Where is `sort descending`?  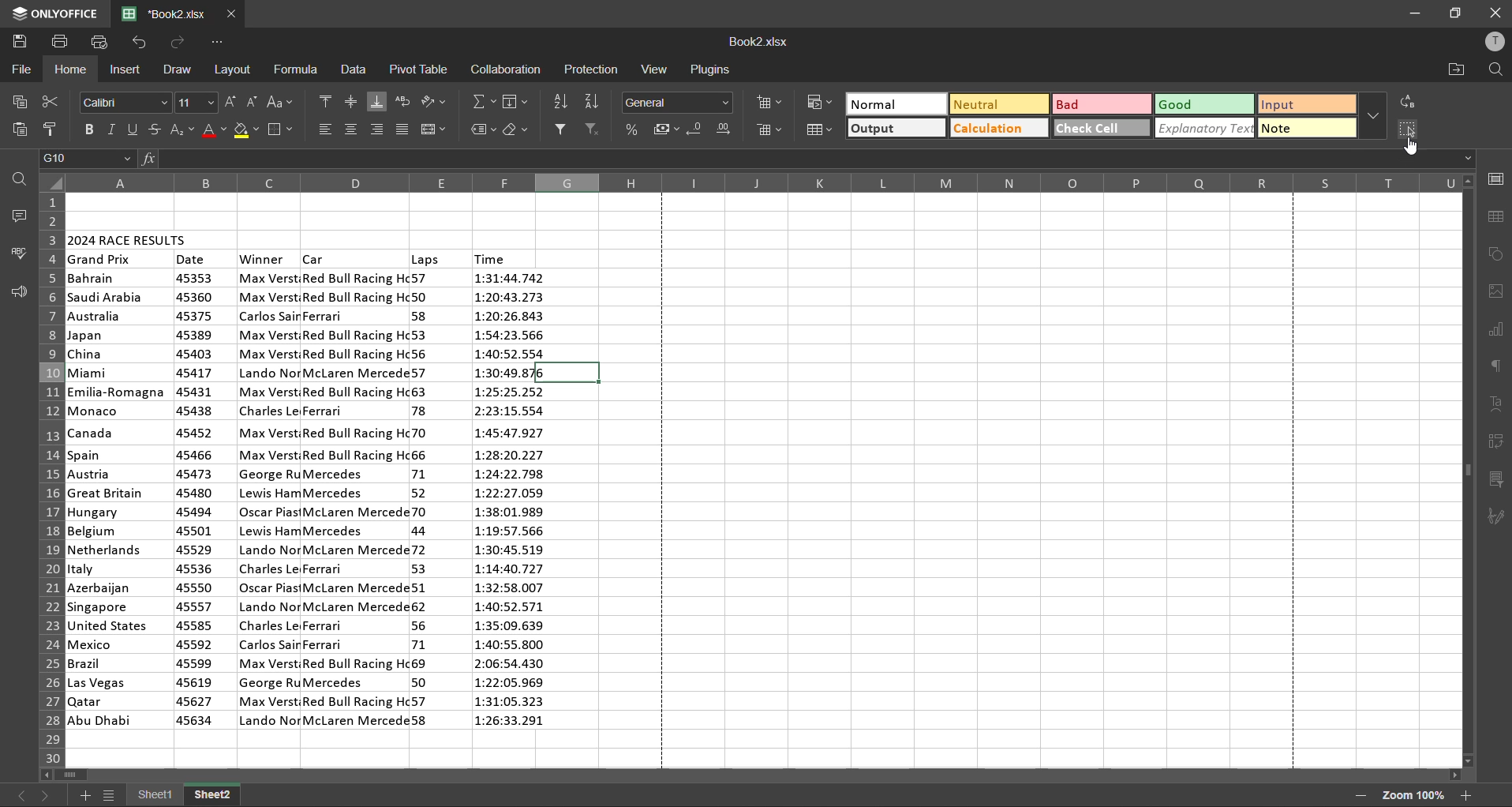
sort descending is located at coordinates (592, 102).